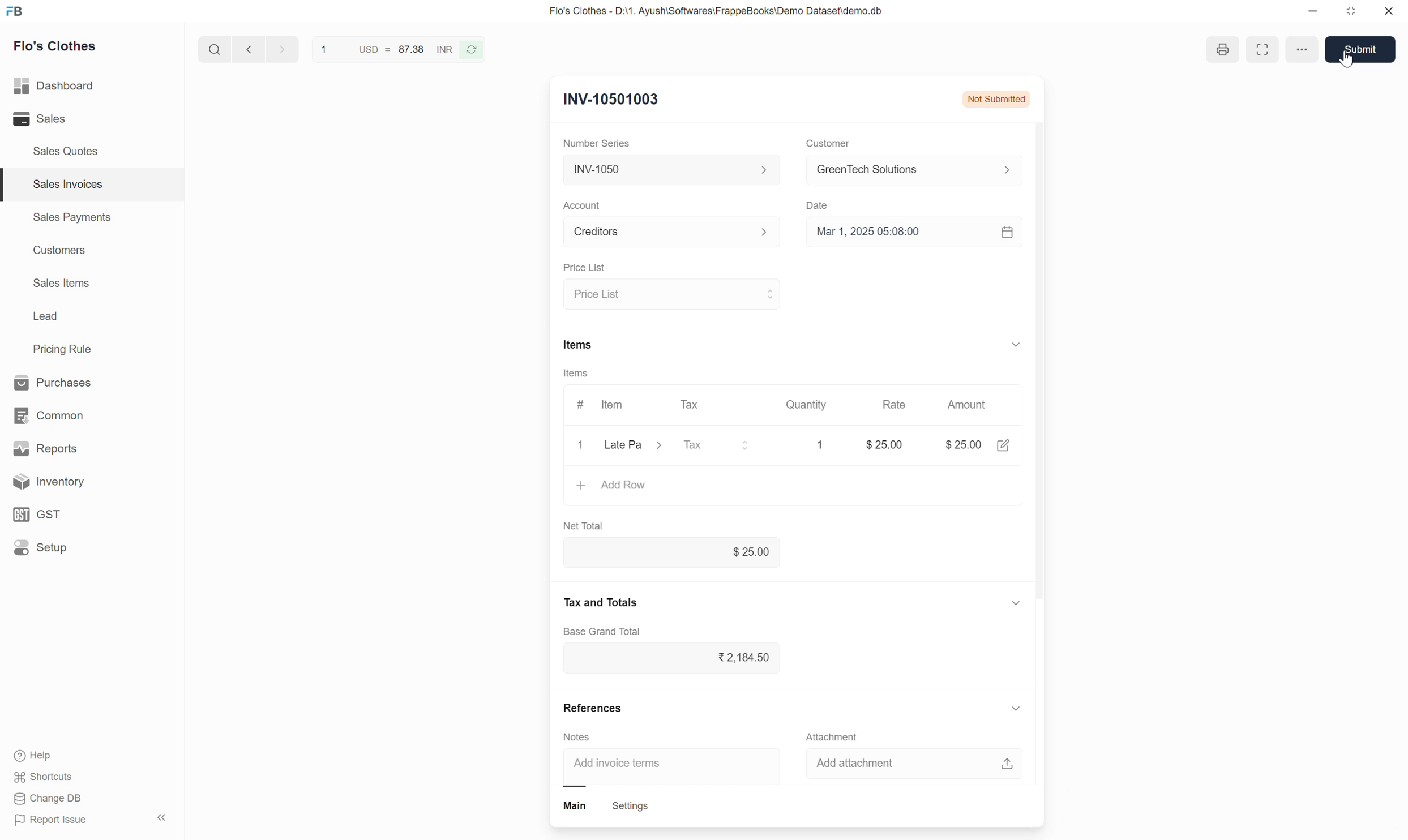 Image resolution: width=1408 pixels, height=840 pixels. What do you see at coordinates (62, 284) in the screenshot?
I see `Sales Items` at bounding box center [62, 284].